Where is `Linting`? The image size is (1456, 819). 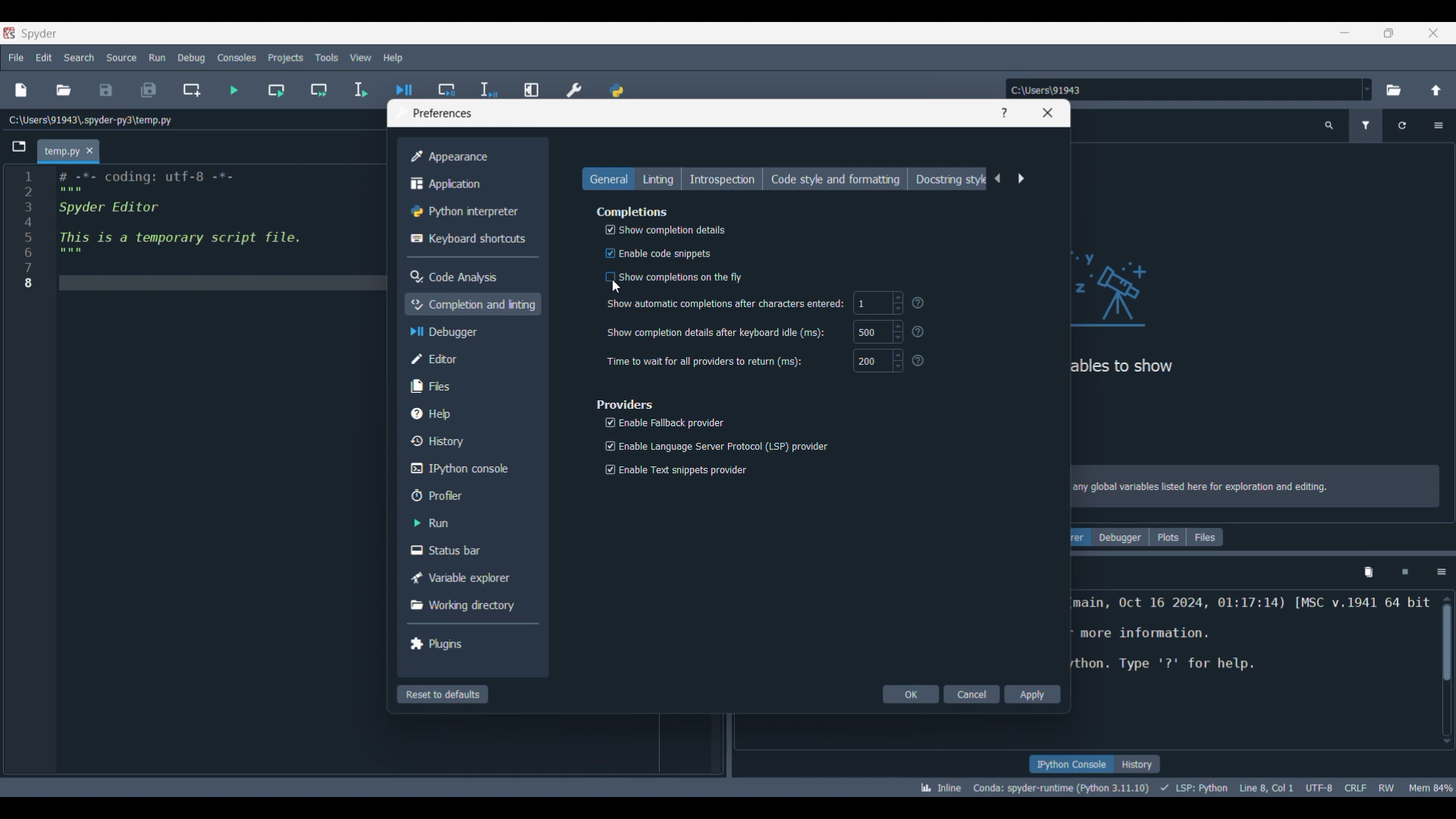
Linting is located at coordinates (657, 178).